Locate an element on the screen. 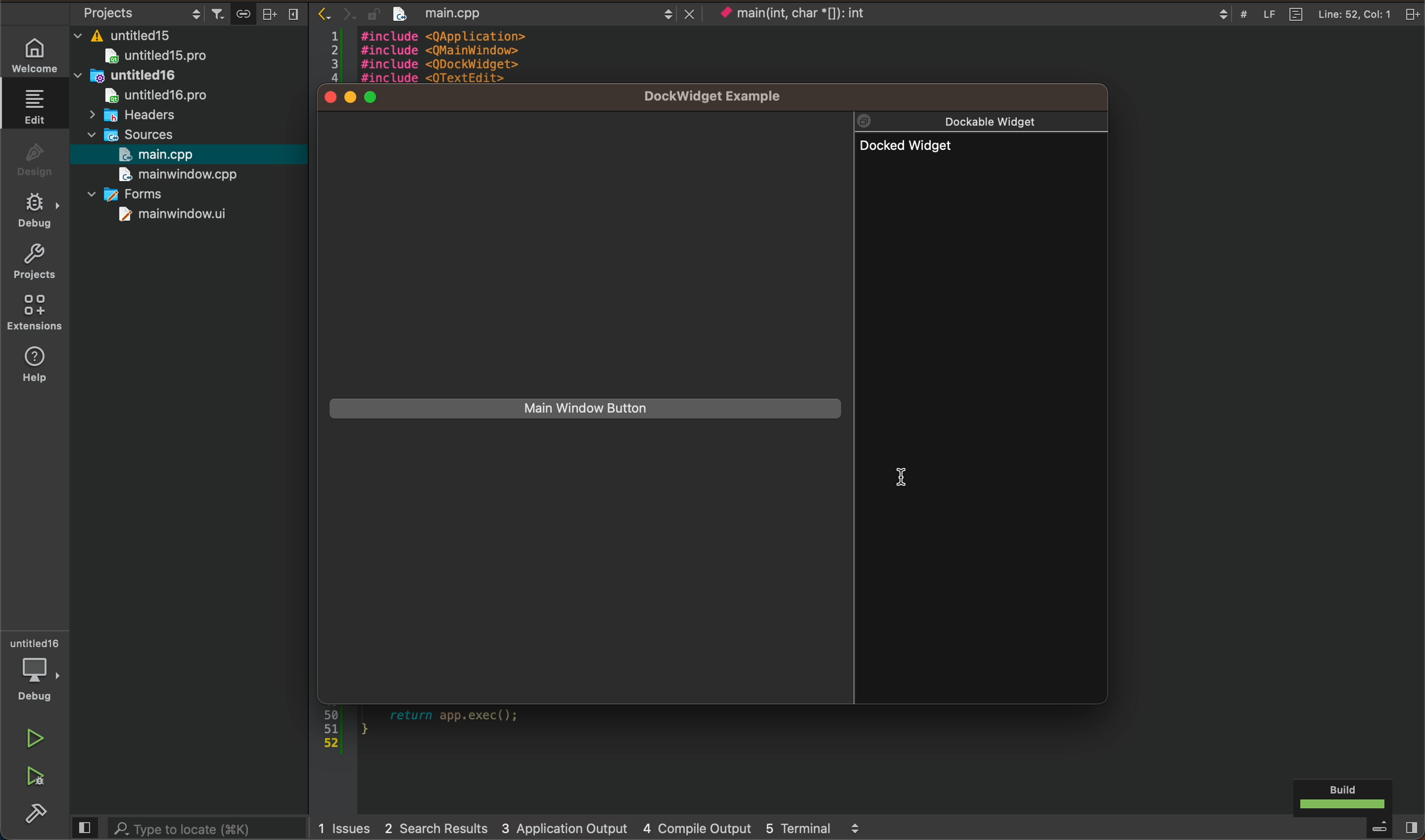 The height and width of the screenshot is (840, 1425). untitledpro is located at coordinates (161, 96).